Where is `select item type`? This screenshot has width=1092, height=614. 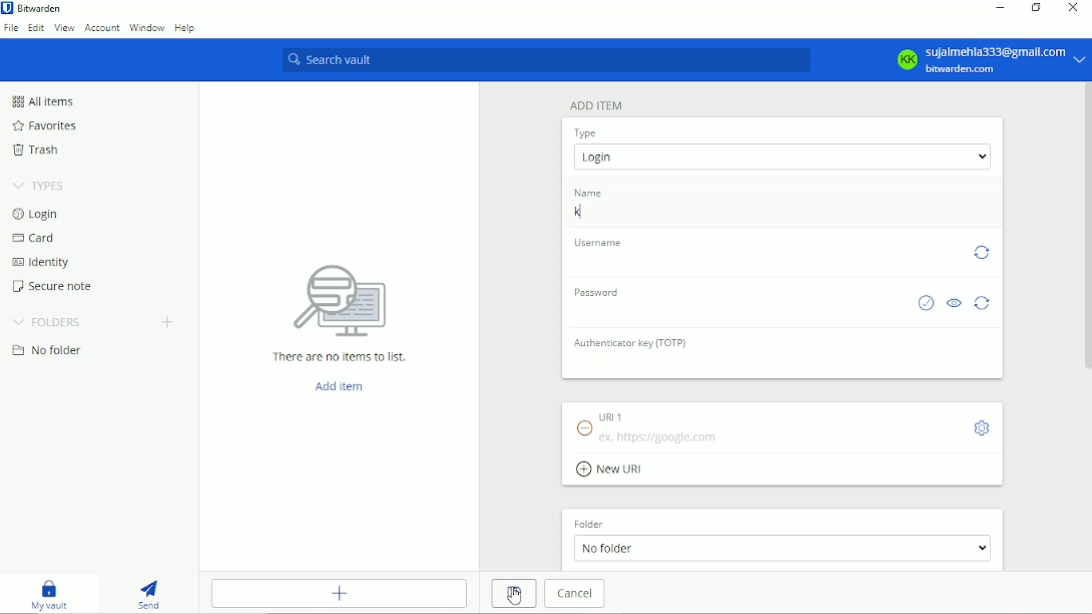
select item type is located at coordinates (782, 157).